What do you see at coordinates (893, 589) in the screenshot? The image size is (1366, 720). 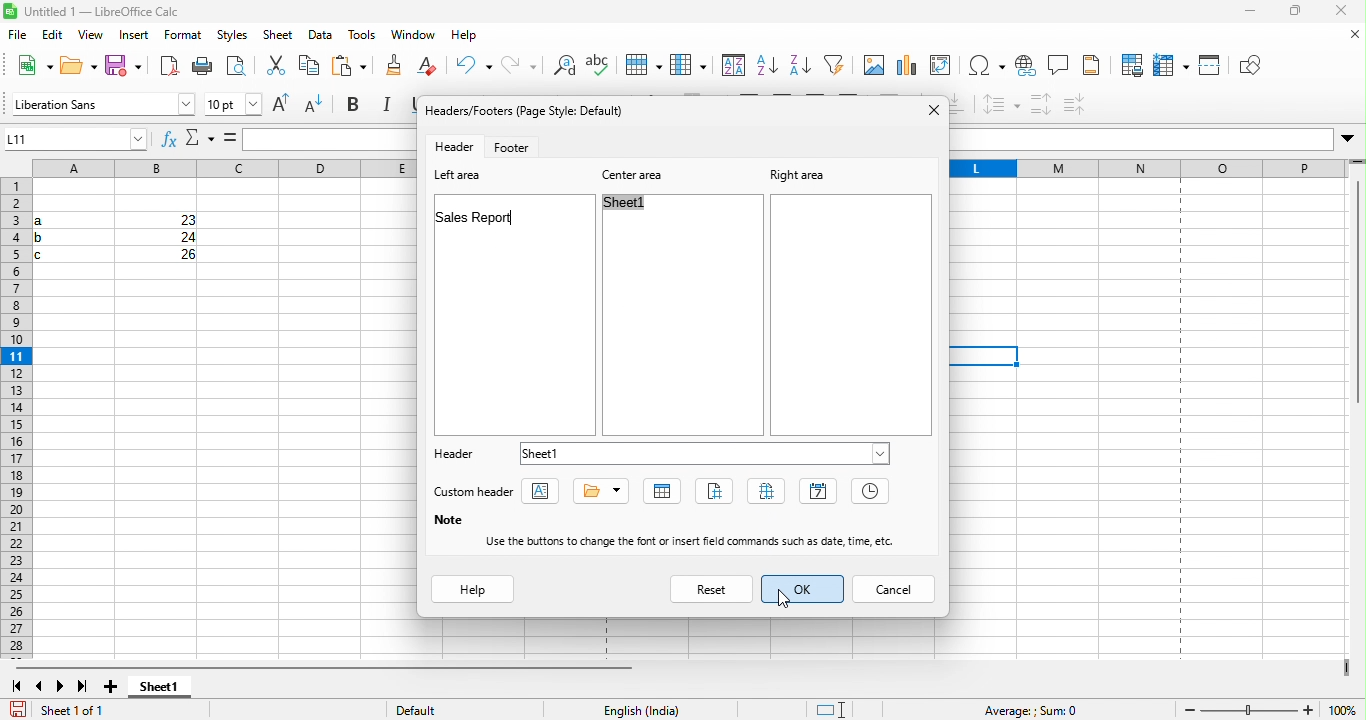 I see `cancel` at bounding box center [893, 589].